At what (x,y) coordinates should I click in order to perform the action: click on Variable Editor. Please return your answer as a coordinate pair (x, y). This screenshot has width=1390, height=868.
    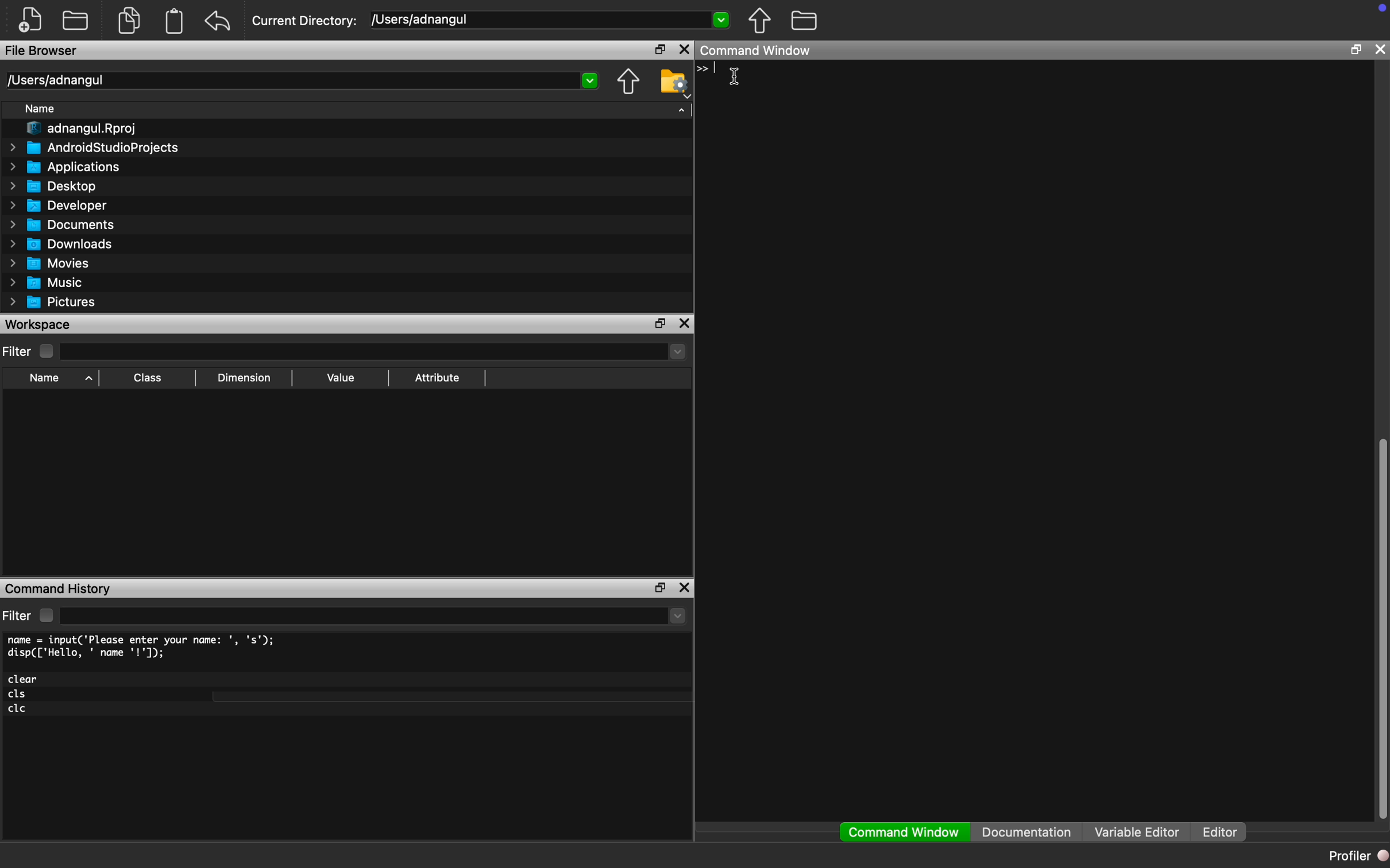
    Looking at the image, I should click on (1137, 831).